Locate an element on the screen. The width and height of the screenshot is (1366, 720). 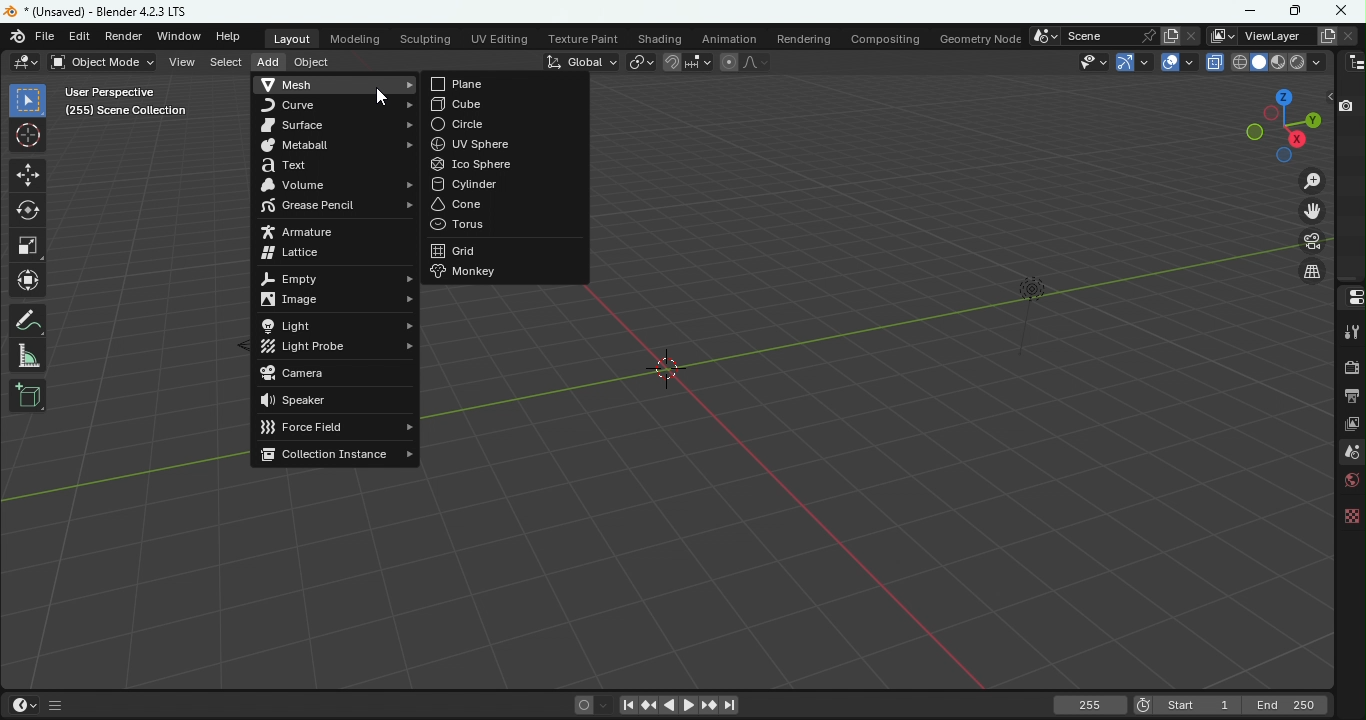
Light is located at coordinates (341, 324).